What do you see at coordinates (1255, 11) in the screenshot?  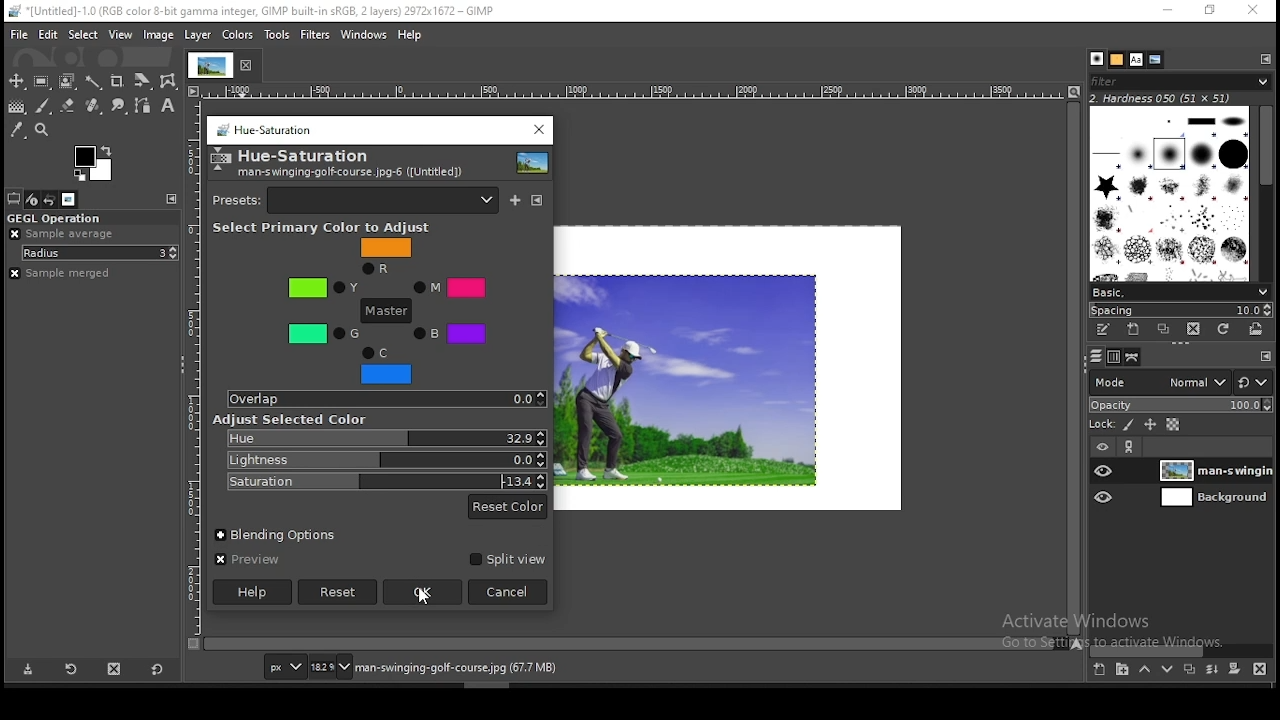 I see `close window` at bounding box center [1255, 11].